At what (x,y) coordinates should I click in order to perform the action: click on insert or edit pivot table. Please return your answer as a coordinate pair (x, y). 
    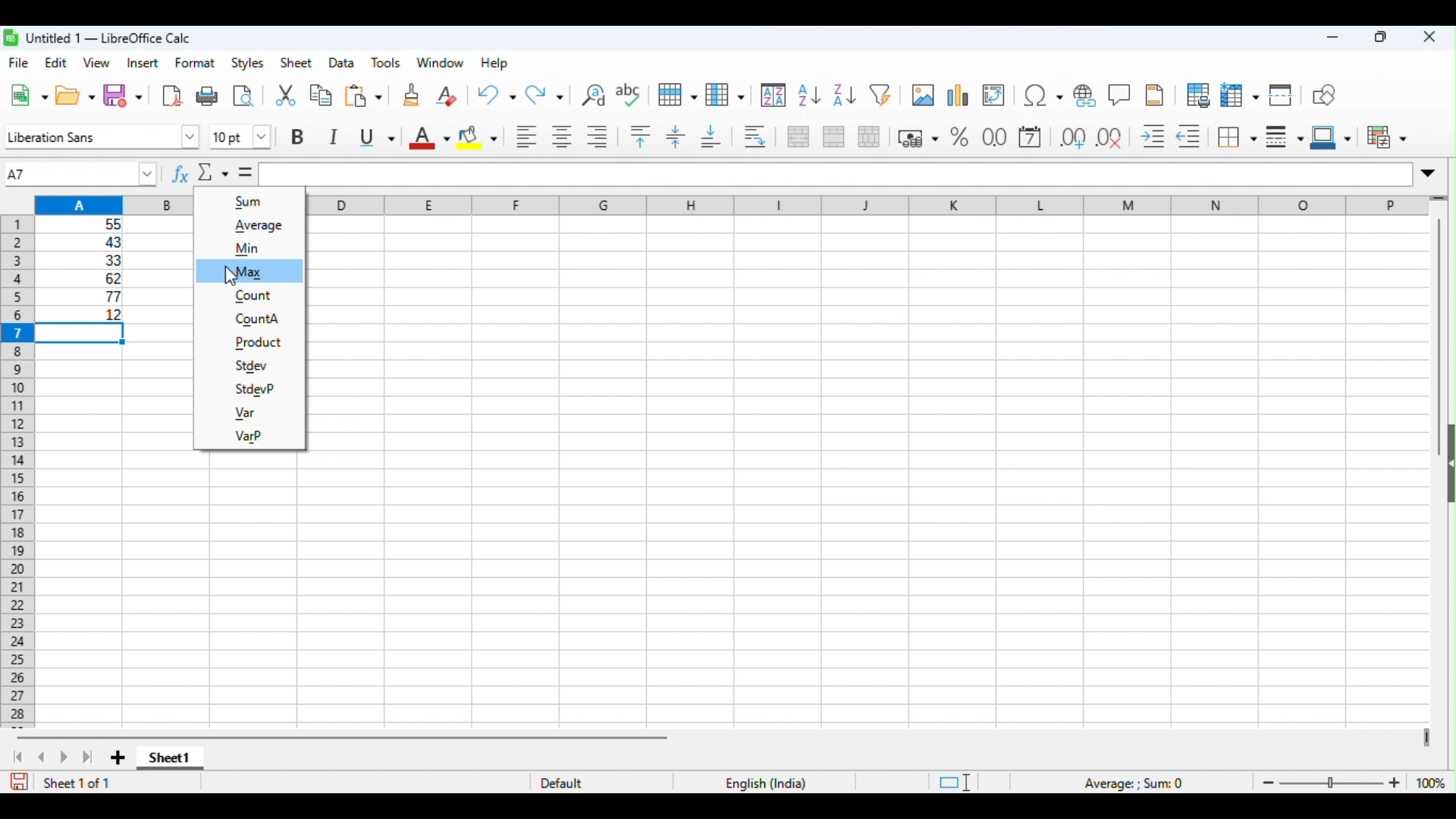
    Looking at the image, I should click on (996, 93).